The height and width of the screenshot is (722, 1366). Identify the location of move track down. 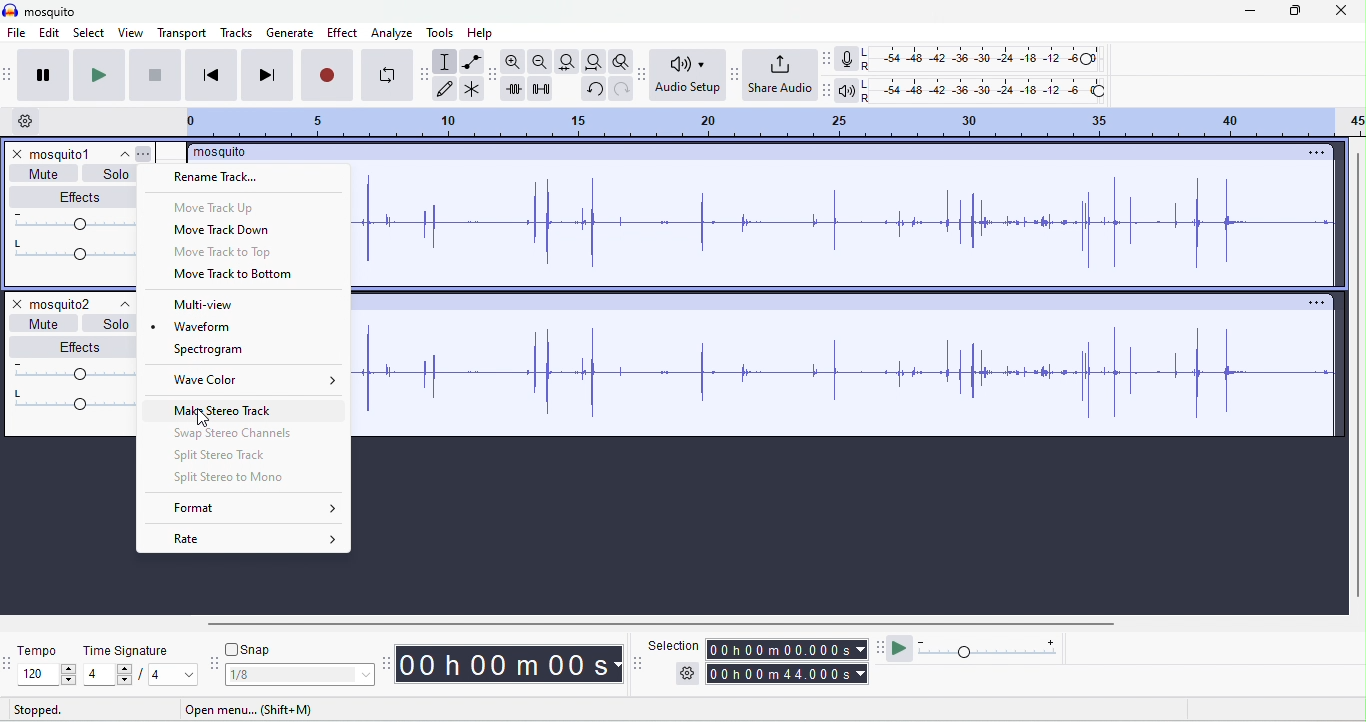
(221, 232).